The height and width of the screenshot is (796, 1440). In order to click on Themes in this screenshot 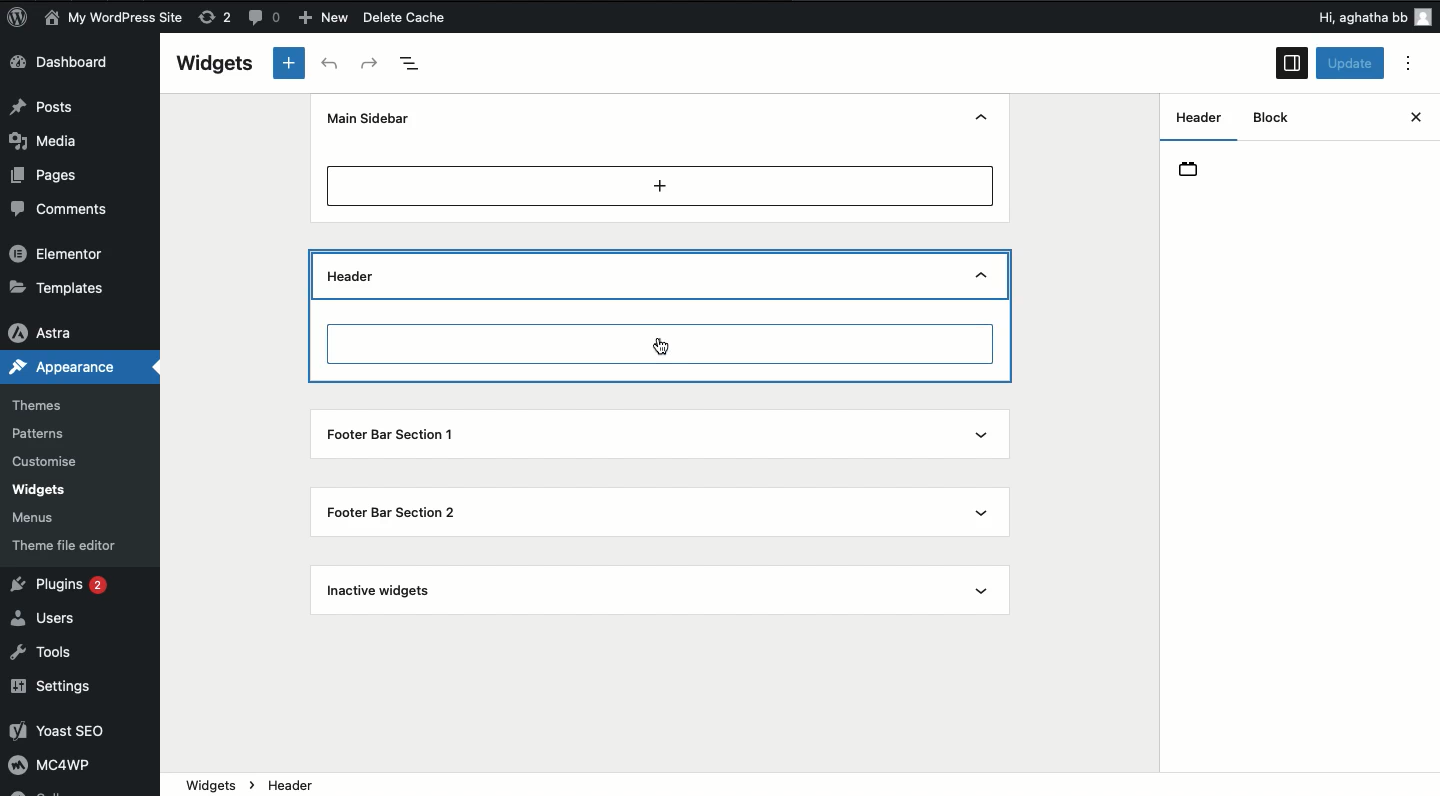, I will do `click(48, 400)`.